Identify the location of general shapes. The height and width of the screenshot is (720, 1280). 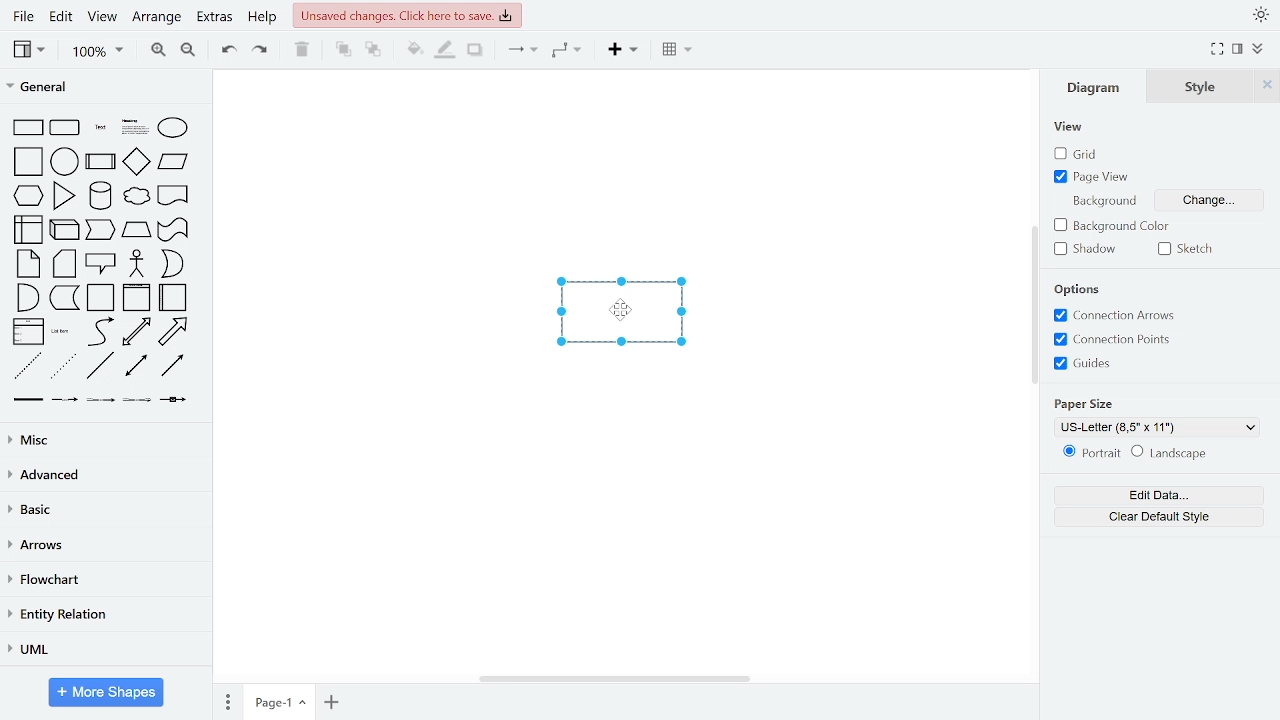
(170, 162).